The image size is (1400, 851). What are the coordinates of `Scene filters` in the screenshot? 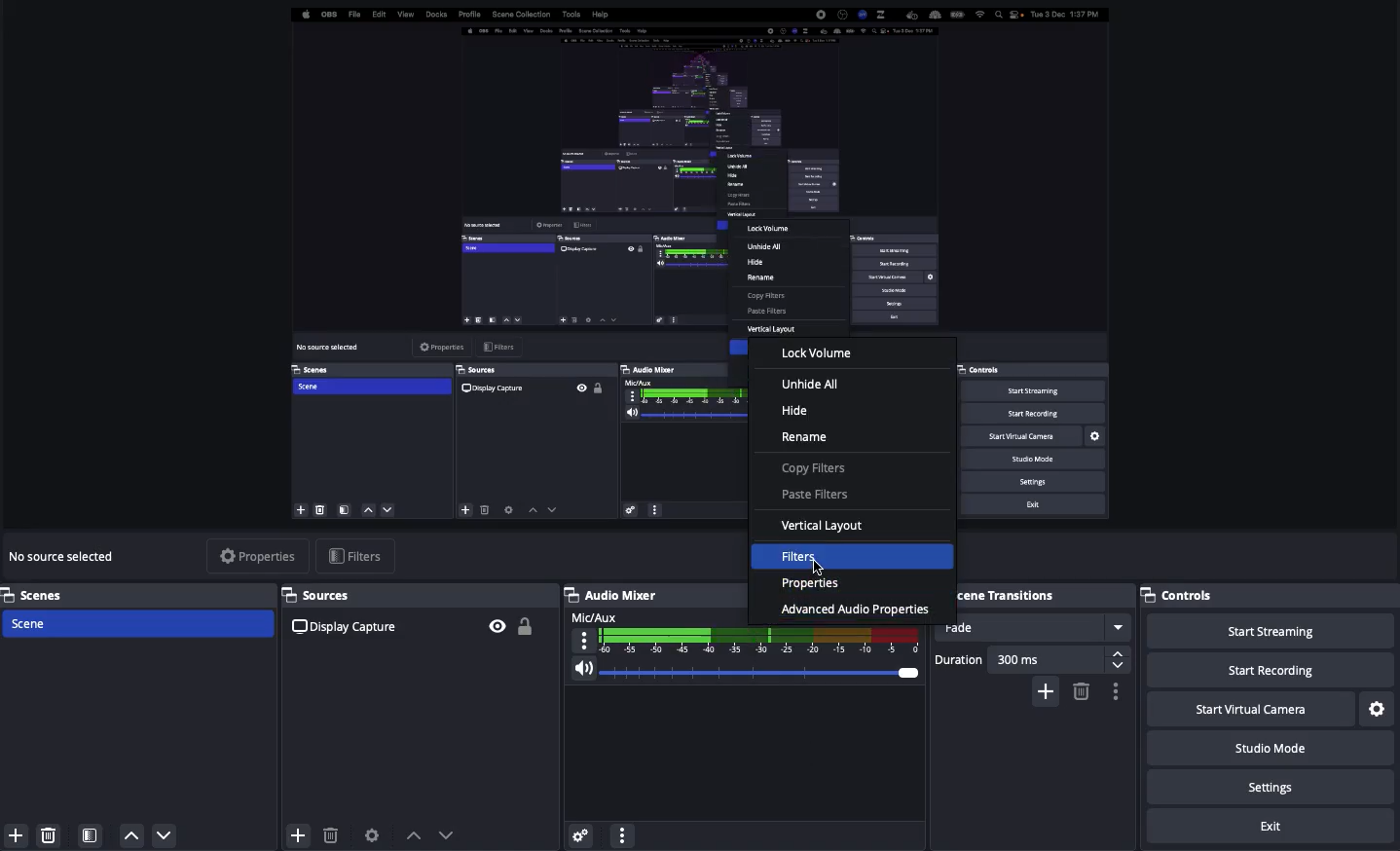 It's located at (91, 832).